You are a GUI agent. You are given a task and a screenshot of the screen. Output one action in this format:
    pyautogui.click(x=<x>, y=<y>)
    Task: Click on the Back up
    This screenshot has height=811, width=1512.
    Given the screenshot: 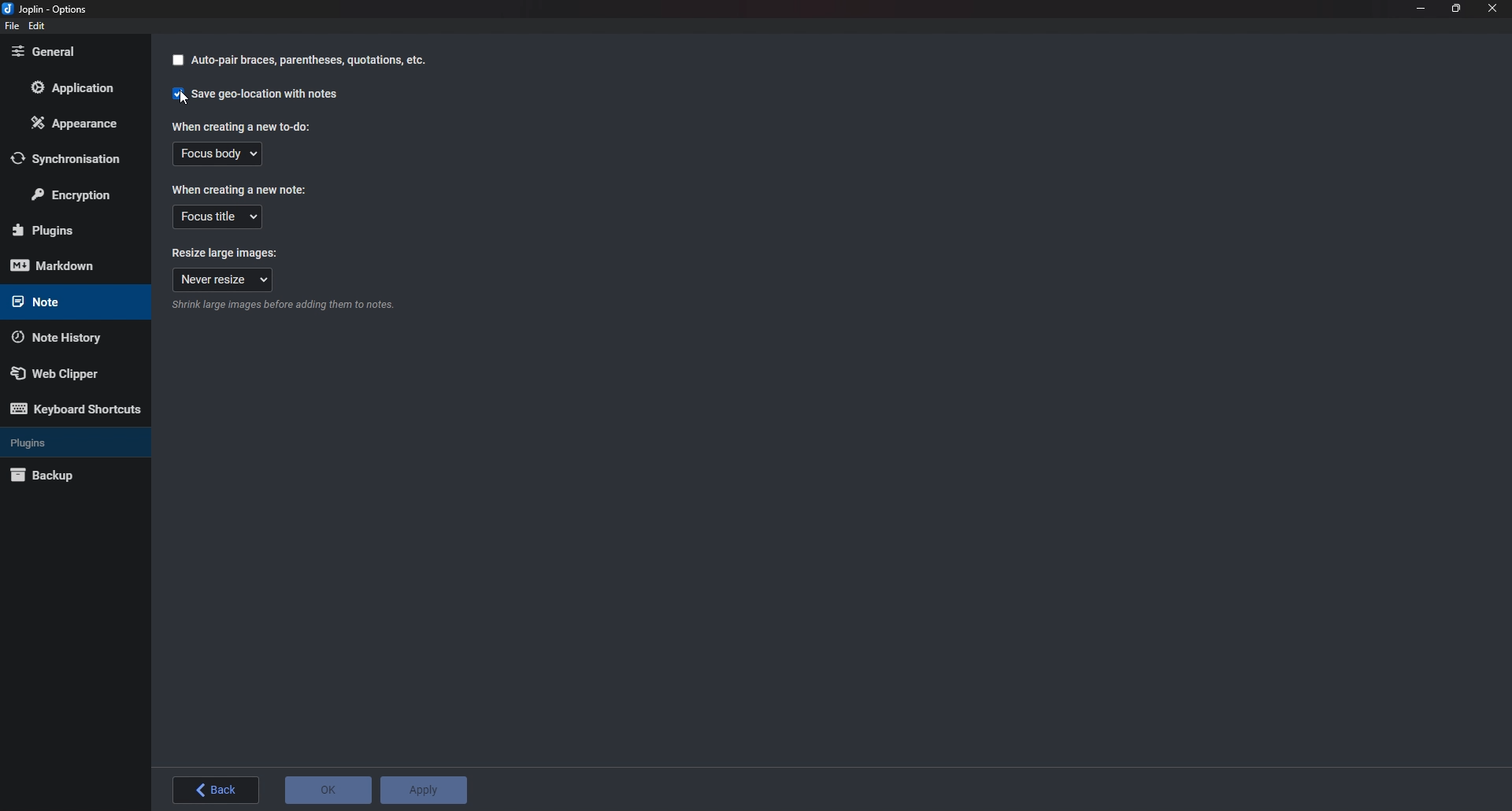 What is the action you would take?
    pyautogui.click(x=71, y=475)
    